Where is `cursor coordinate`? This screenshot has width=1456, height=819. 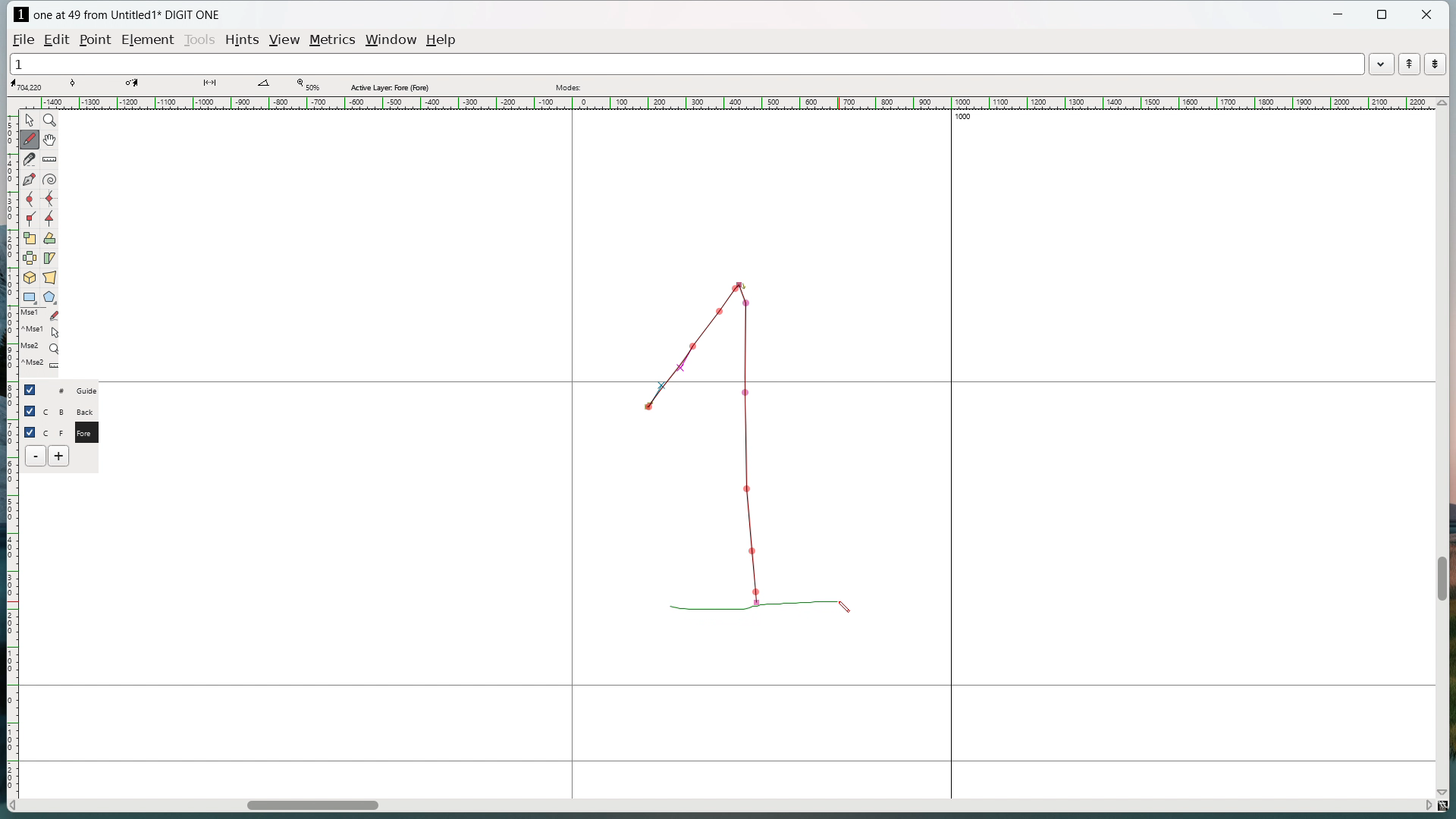
cursor coordinate is located at coordinates (31, 85).